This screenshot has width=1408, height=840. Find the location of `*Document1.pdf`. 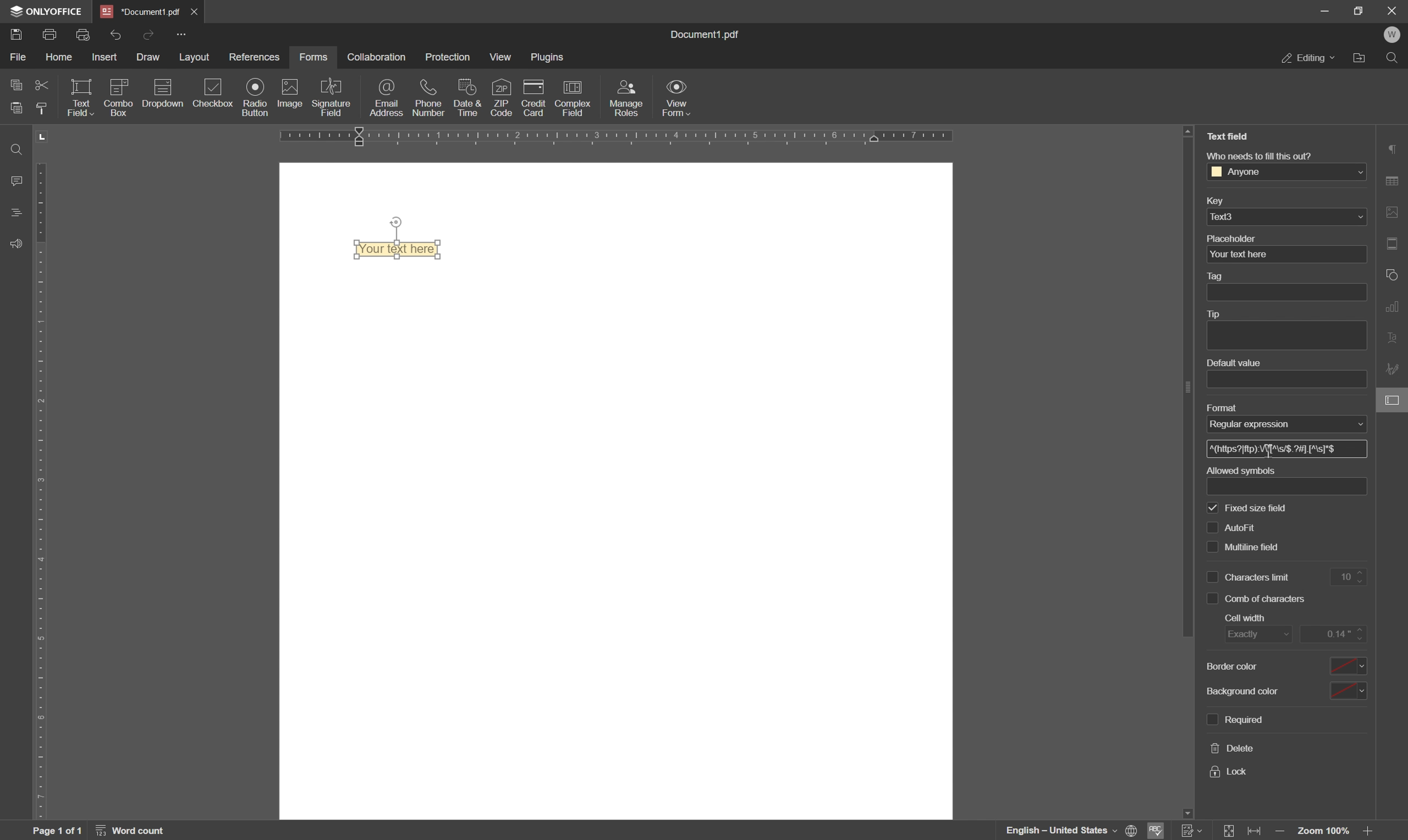

*Document1.pdf is located at coordinates (141, 11).